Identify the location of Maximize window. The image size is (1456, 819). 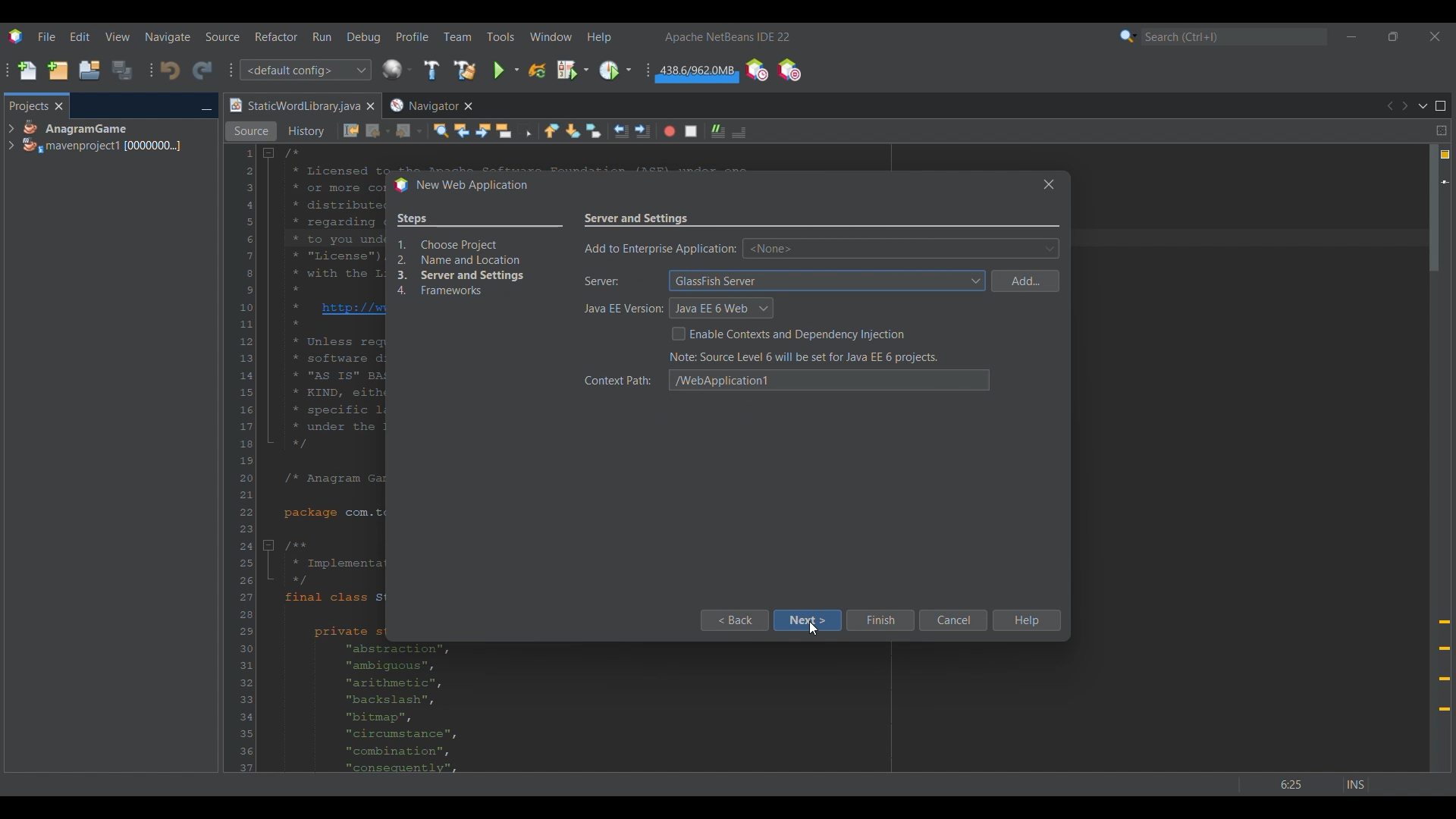
(1441, 106).